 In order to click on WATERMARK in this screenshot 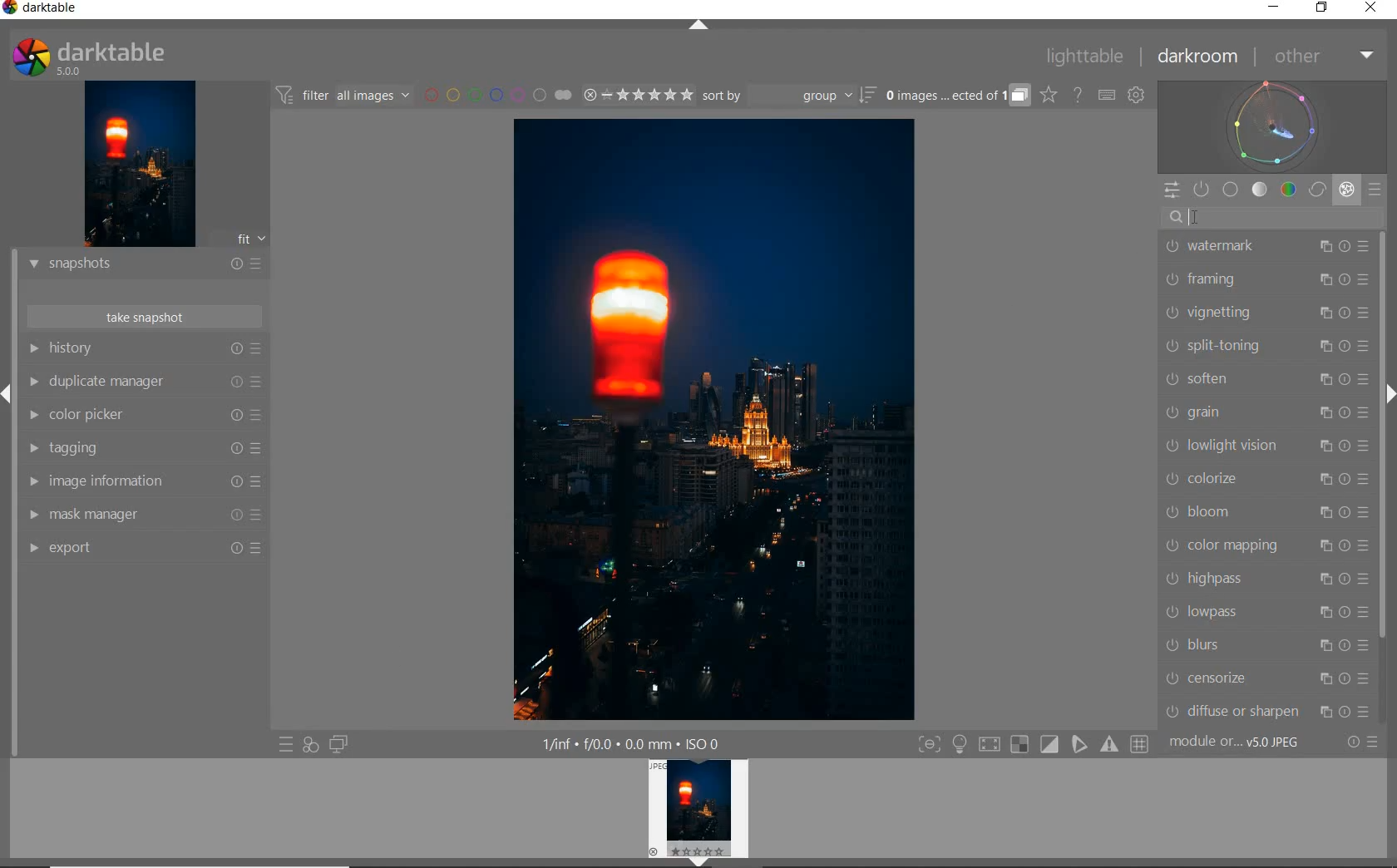, I will do `click(1225, 249)`.